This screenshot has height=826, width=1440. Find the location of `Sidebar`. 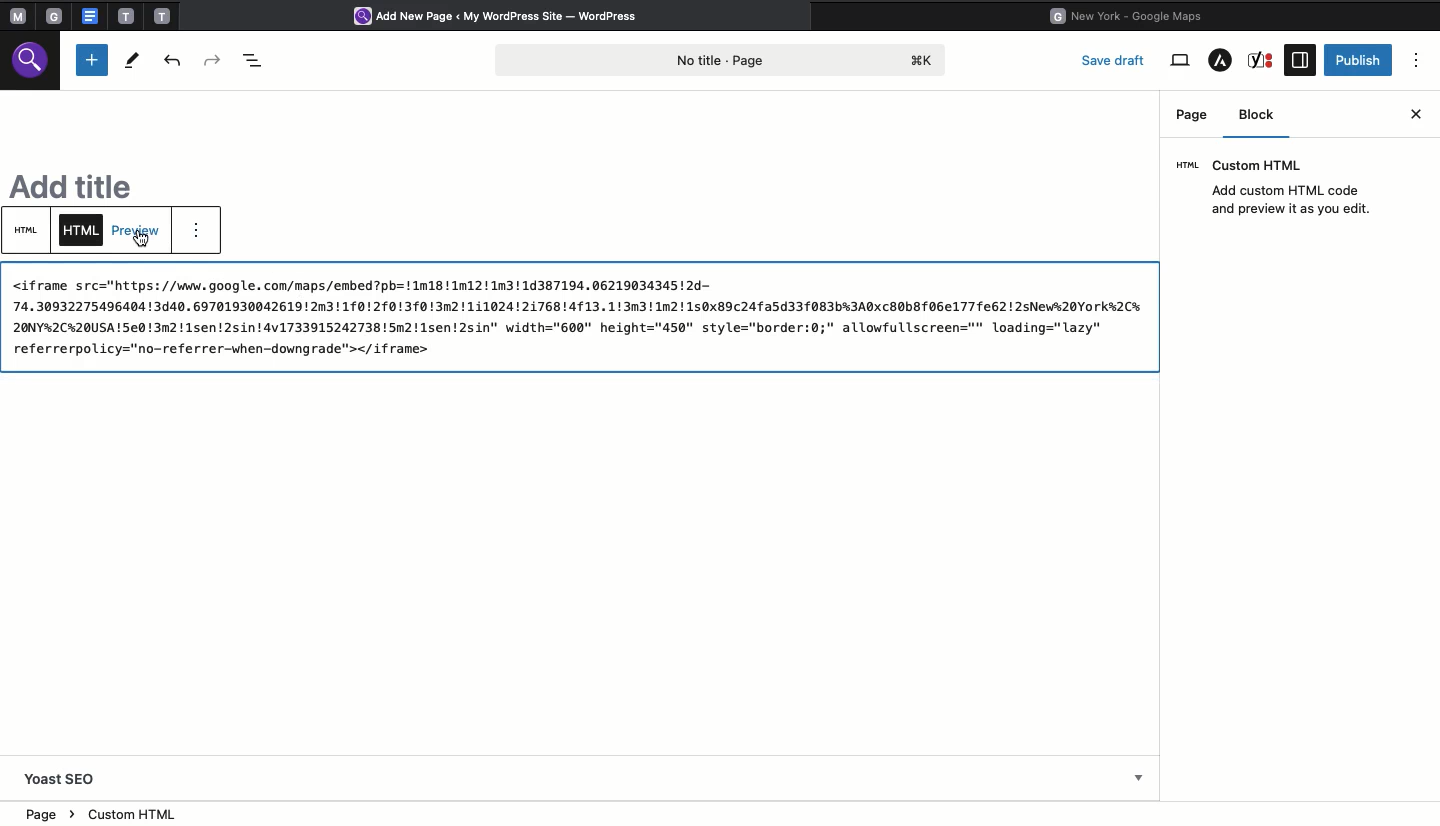

Sidebar is located at coordinates (1299, 60).